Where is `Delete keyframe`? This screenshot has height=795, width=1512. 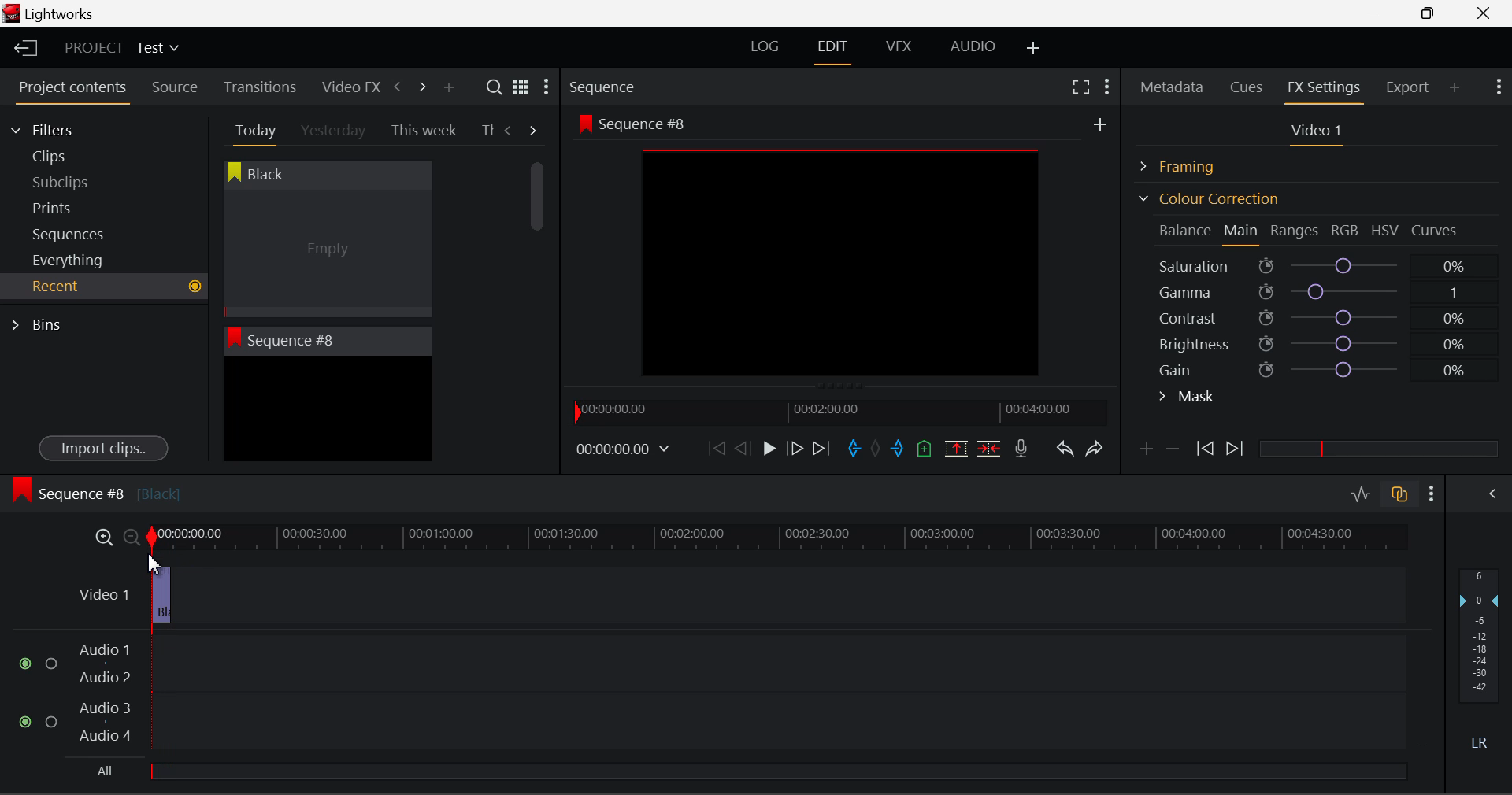 Delete keyframe is located at coordinates (1173, 452).